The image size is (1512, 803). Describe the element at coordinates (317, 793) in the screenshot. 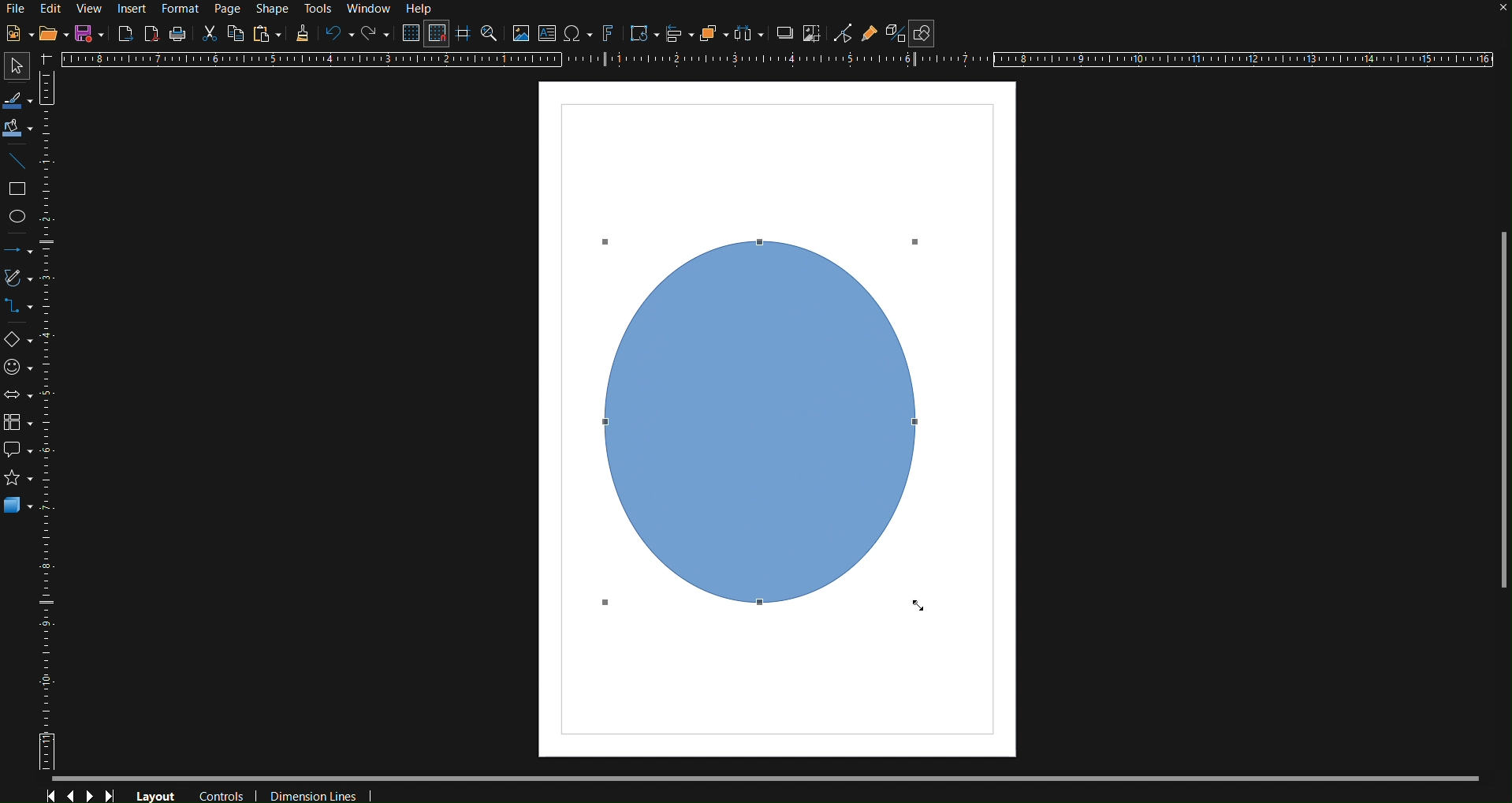

I see `Dimension Lines` at that location.